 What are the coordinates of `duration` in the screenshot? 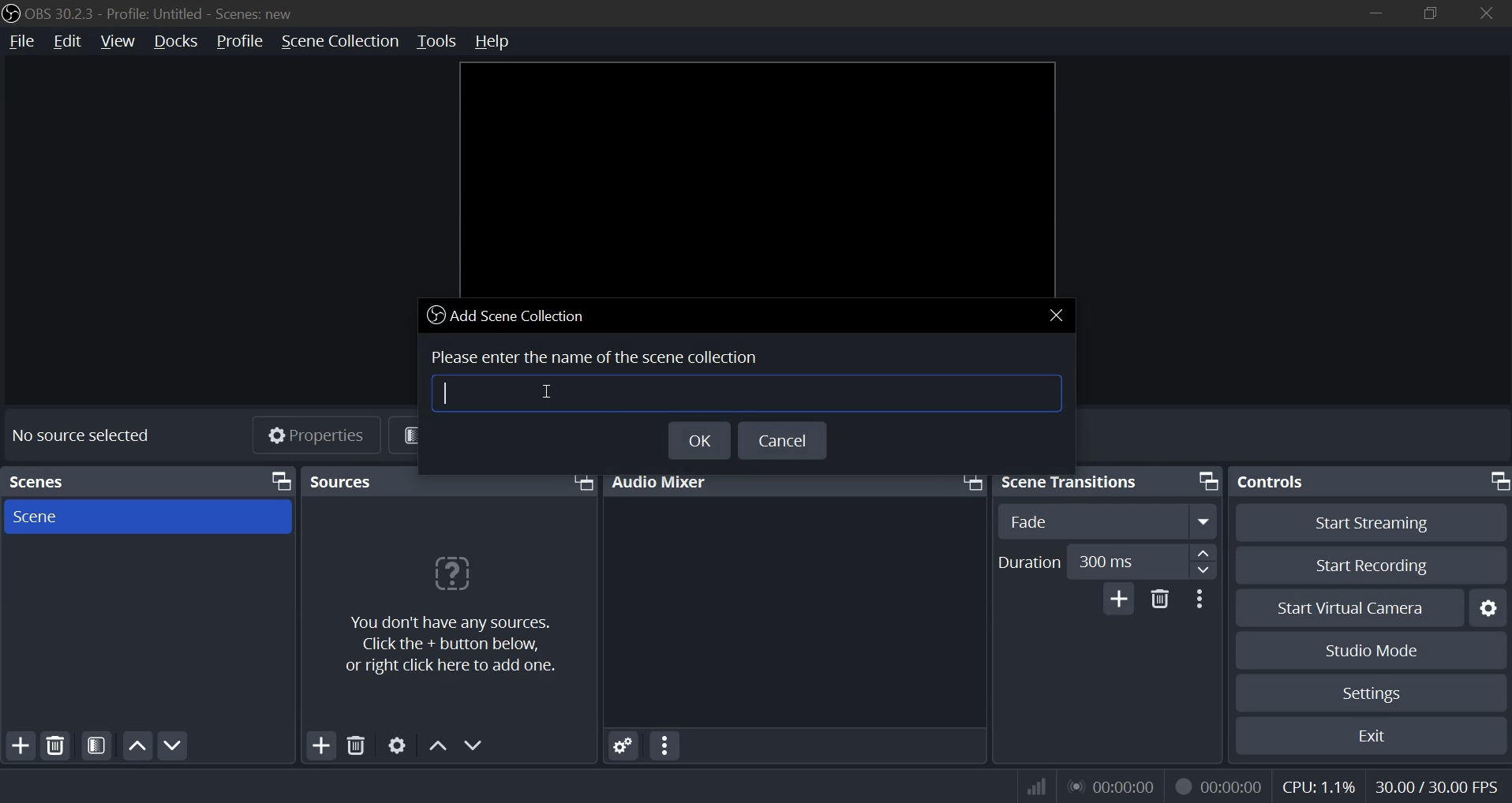 It's located at (1031, 562).